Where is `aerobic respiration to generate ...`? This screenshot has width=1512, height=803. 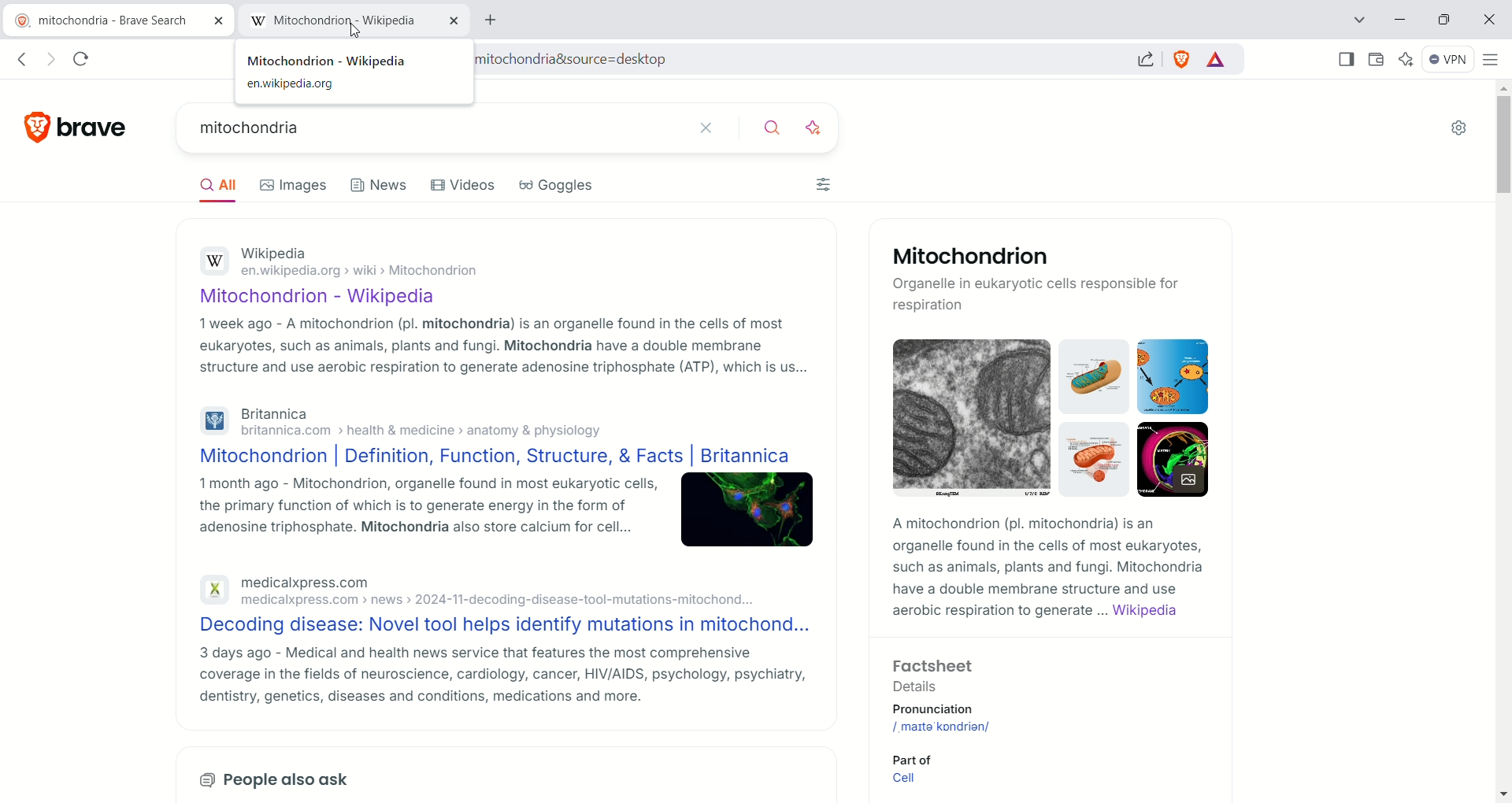
aerobic respiration to generate ... is located at coordinates (999, 612).